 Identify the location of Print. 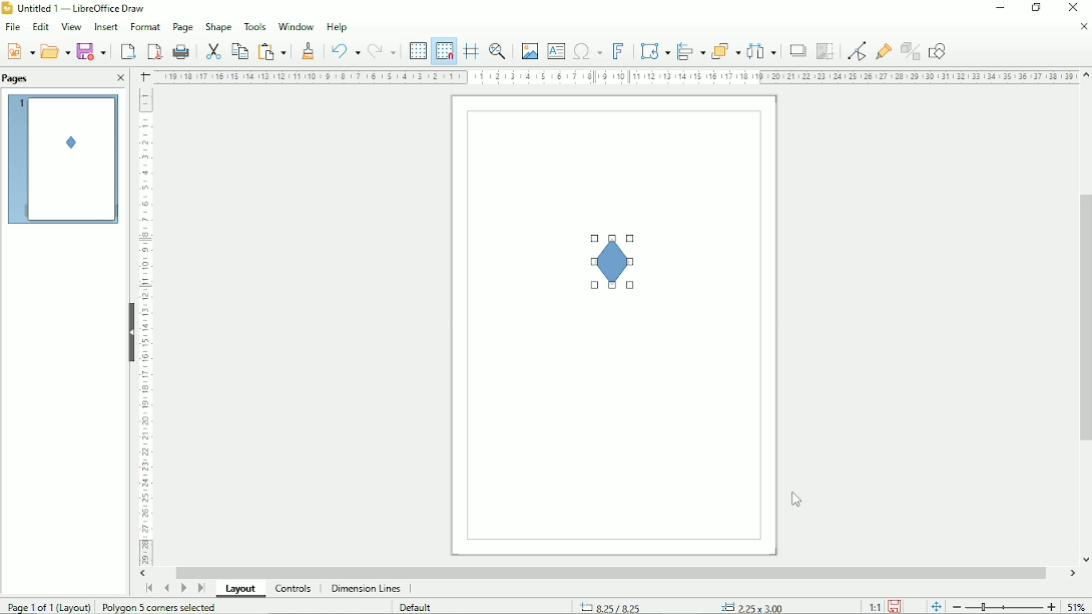
(180, 51).